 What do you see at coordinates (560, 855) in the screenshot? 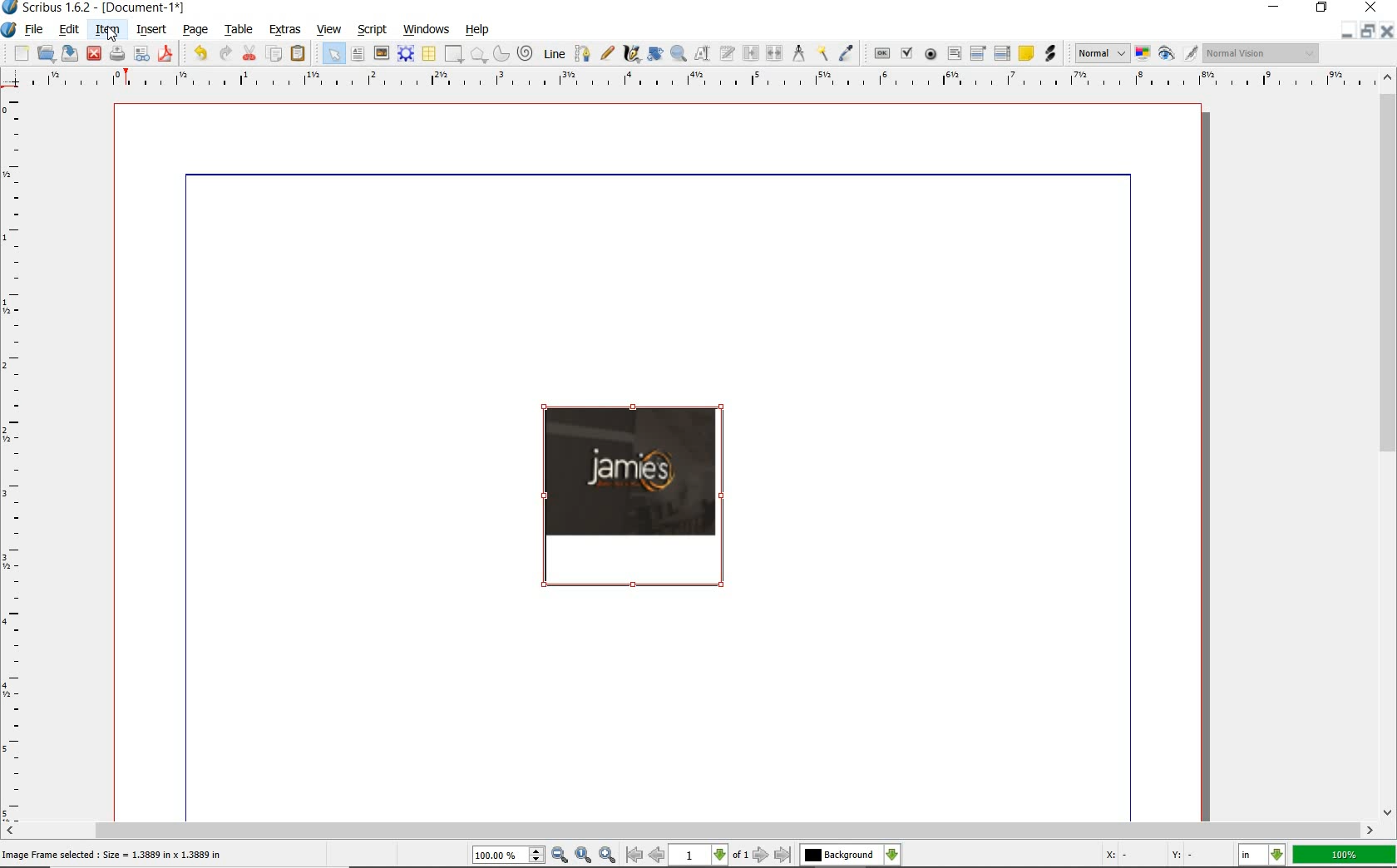
I see `Zoom Out` at bounding box center [560, 855].